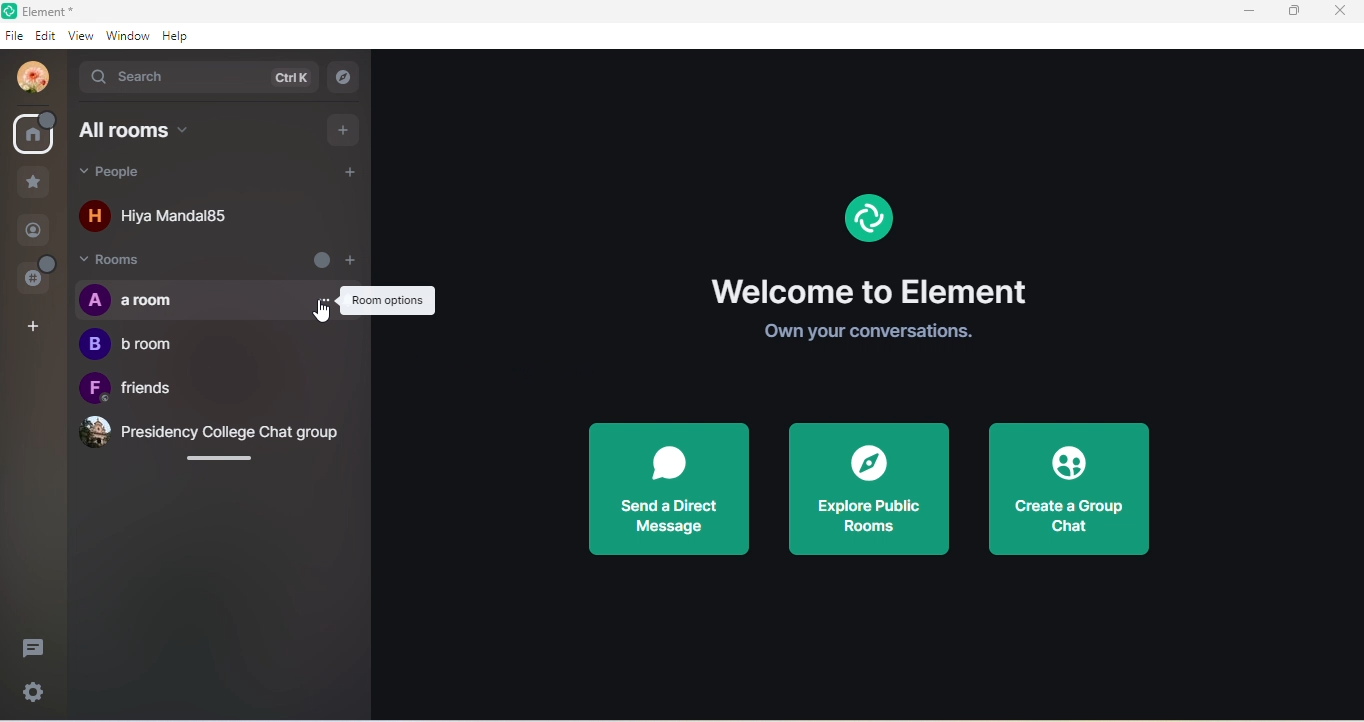 The width and height of the screenshot is (1364, 722). What do you see at coordinates (388, 301) in the screenshot?
I see `room options  ` at bounding box center [388, 301].